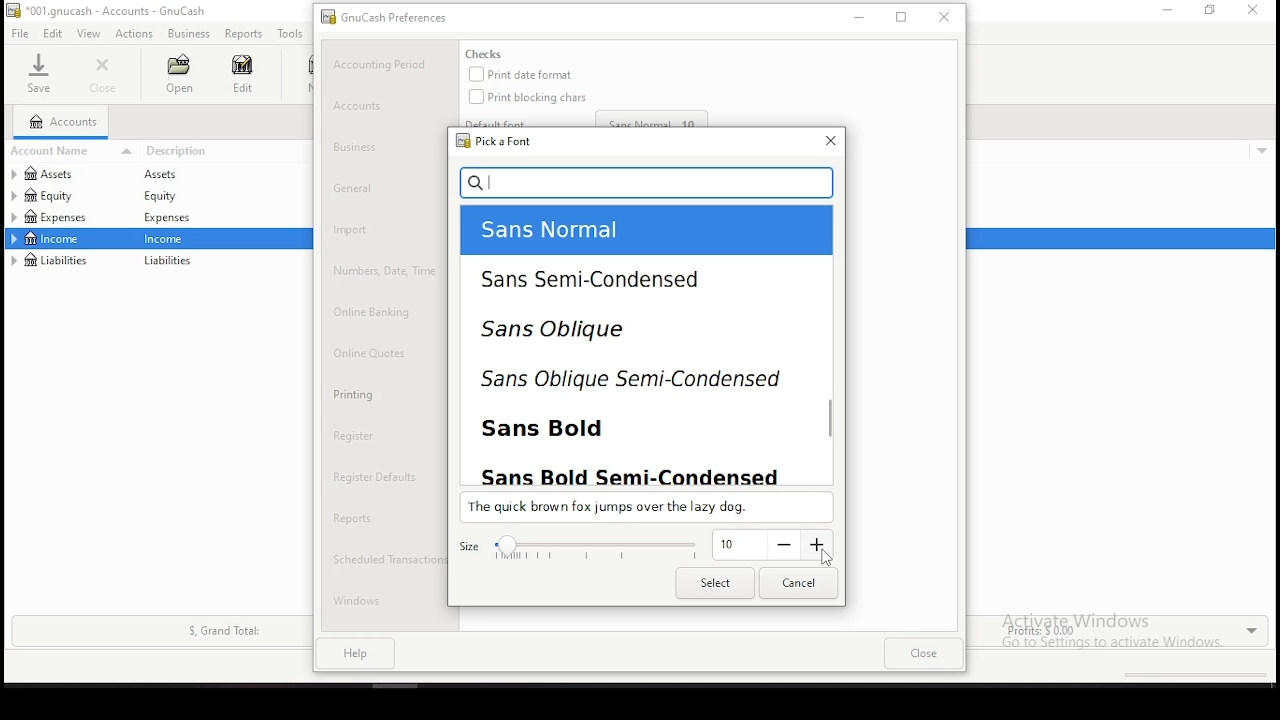 The image size is (1280, 720). Describe the element at coordinates (828, 141) in the screenshot. I see `close window` at that location.